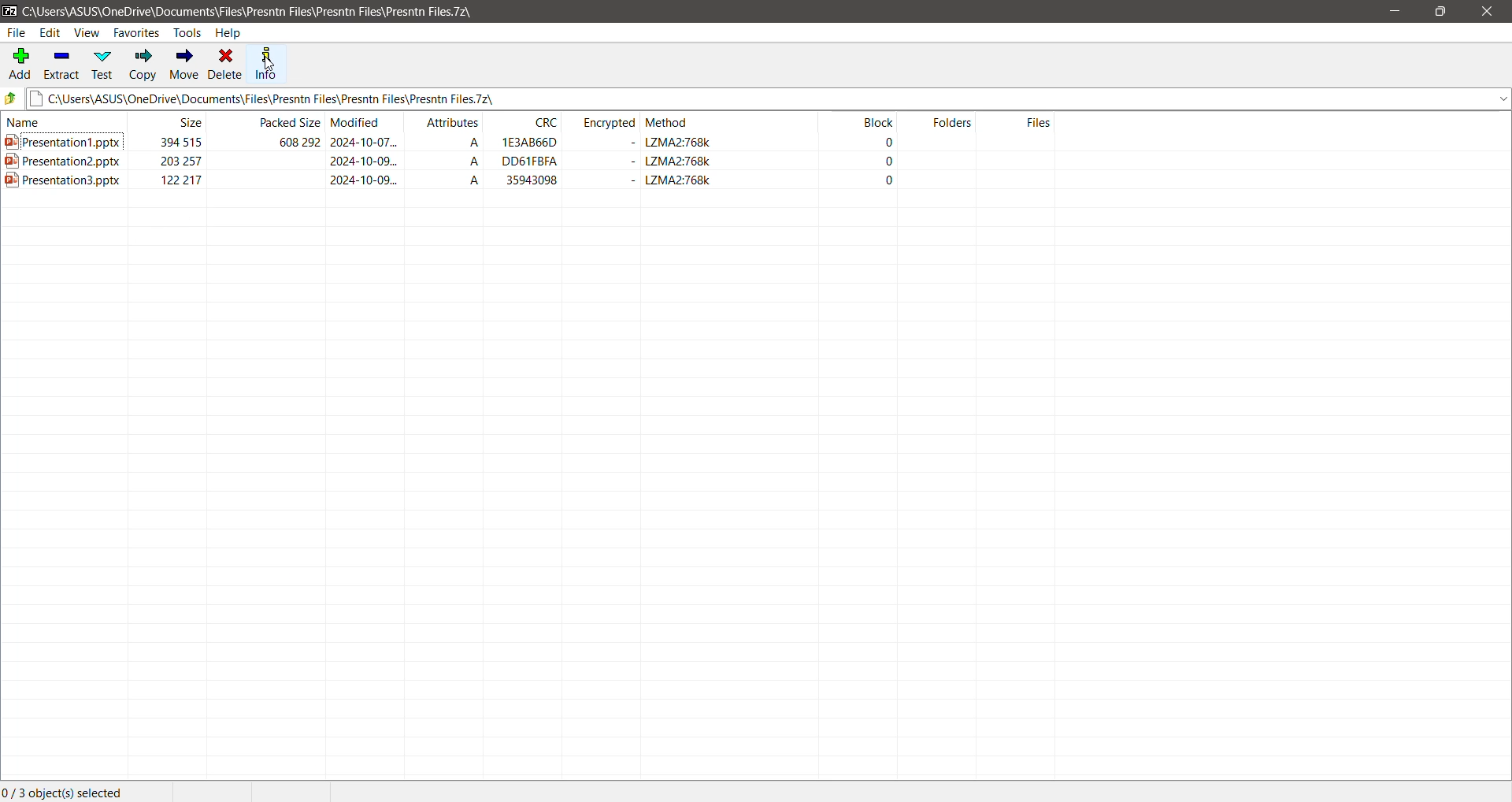  I want to click on 608292, so click(287, 143).